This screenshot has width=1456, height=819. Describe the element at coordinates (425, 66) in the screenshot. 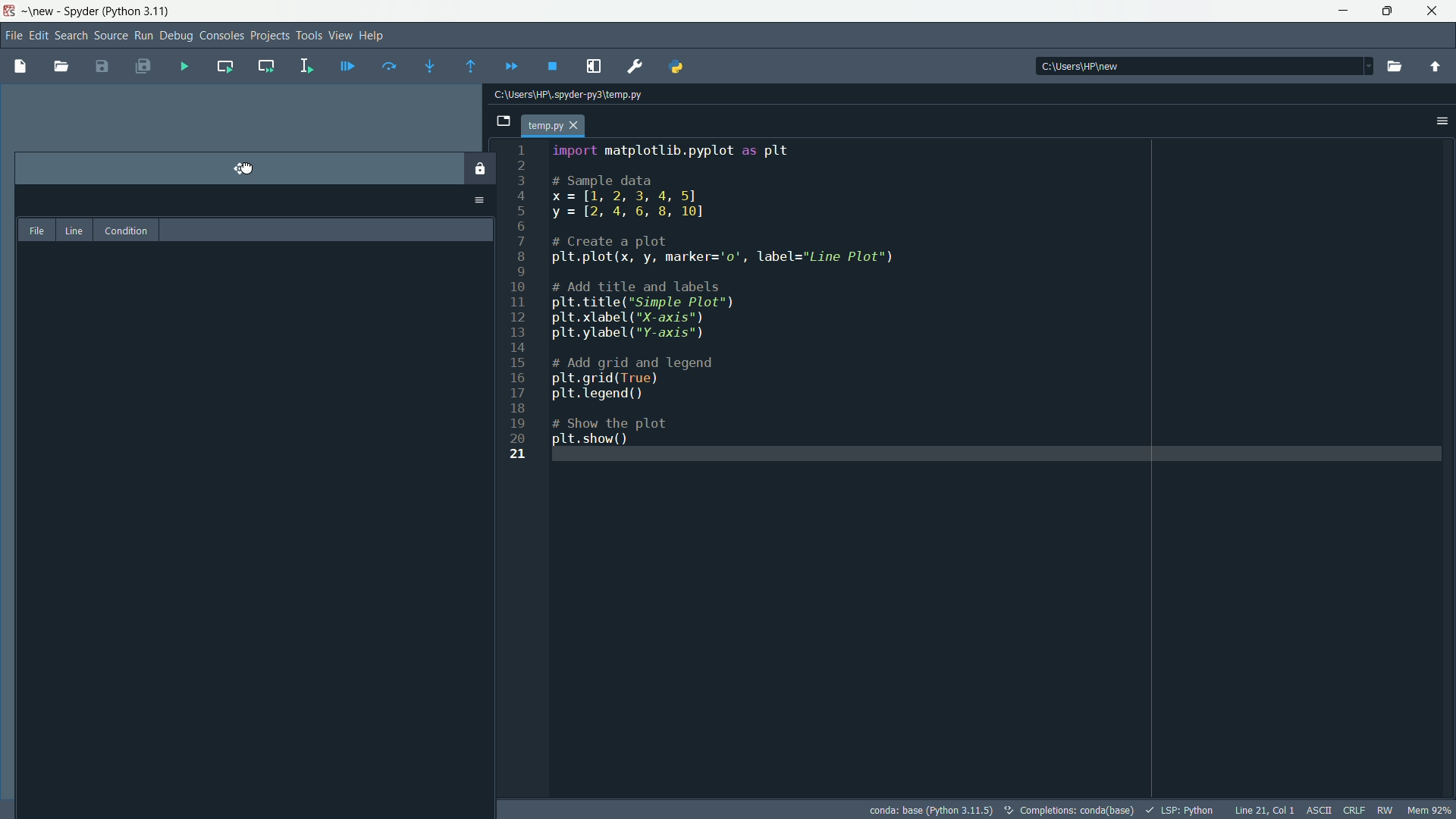

I see `step into function` at that location.